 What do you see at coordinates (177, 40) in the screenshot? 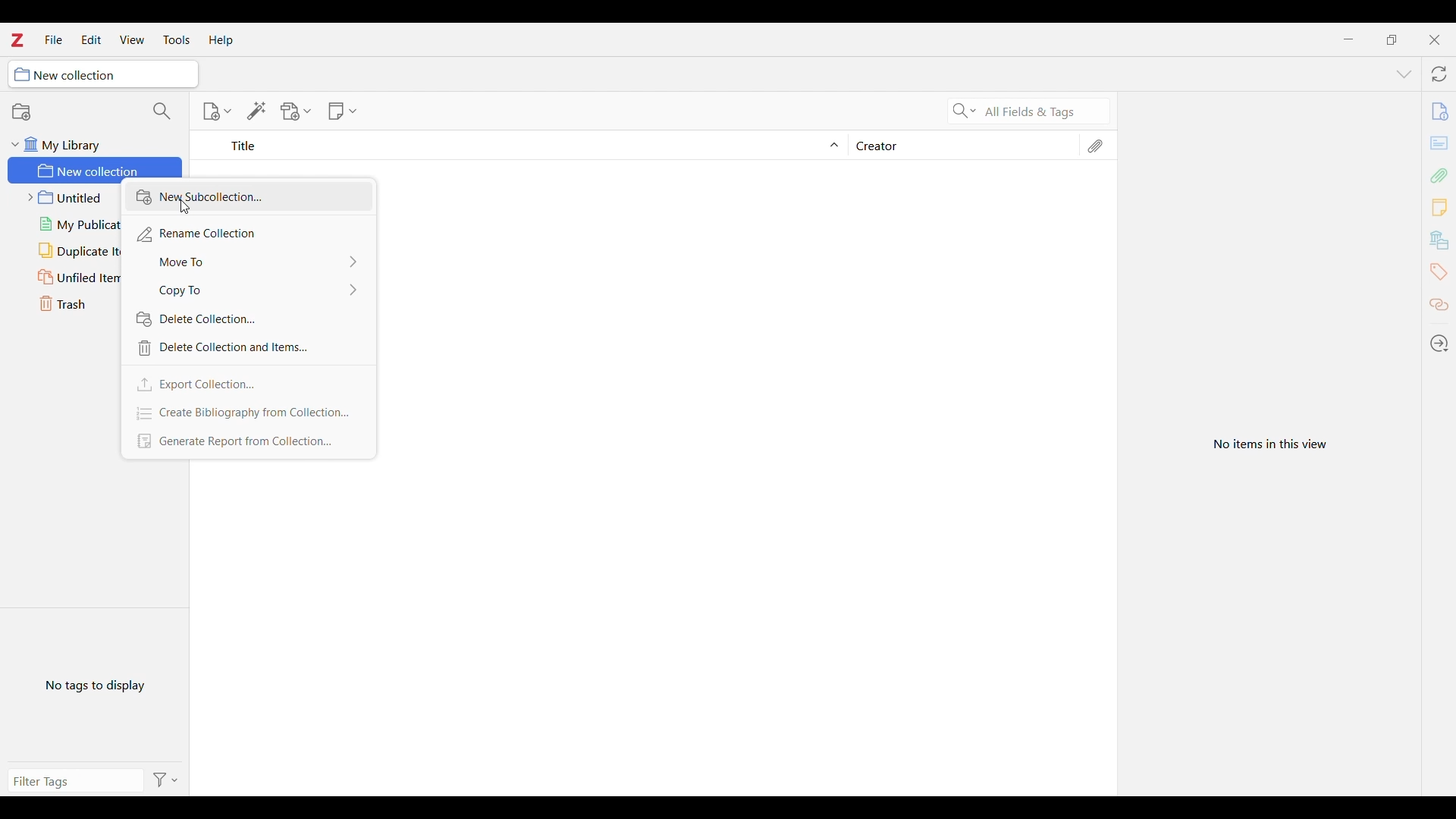
I see `Tools menu` at bounding box center [177, 40].